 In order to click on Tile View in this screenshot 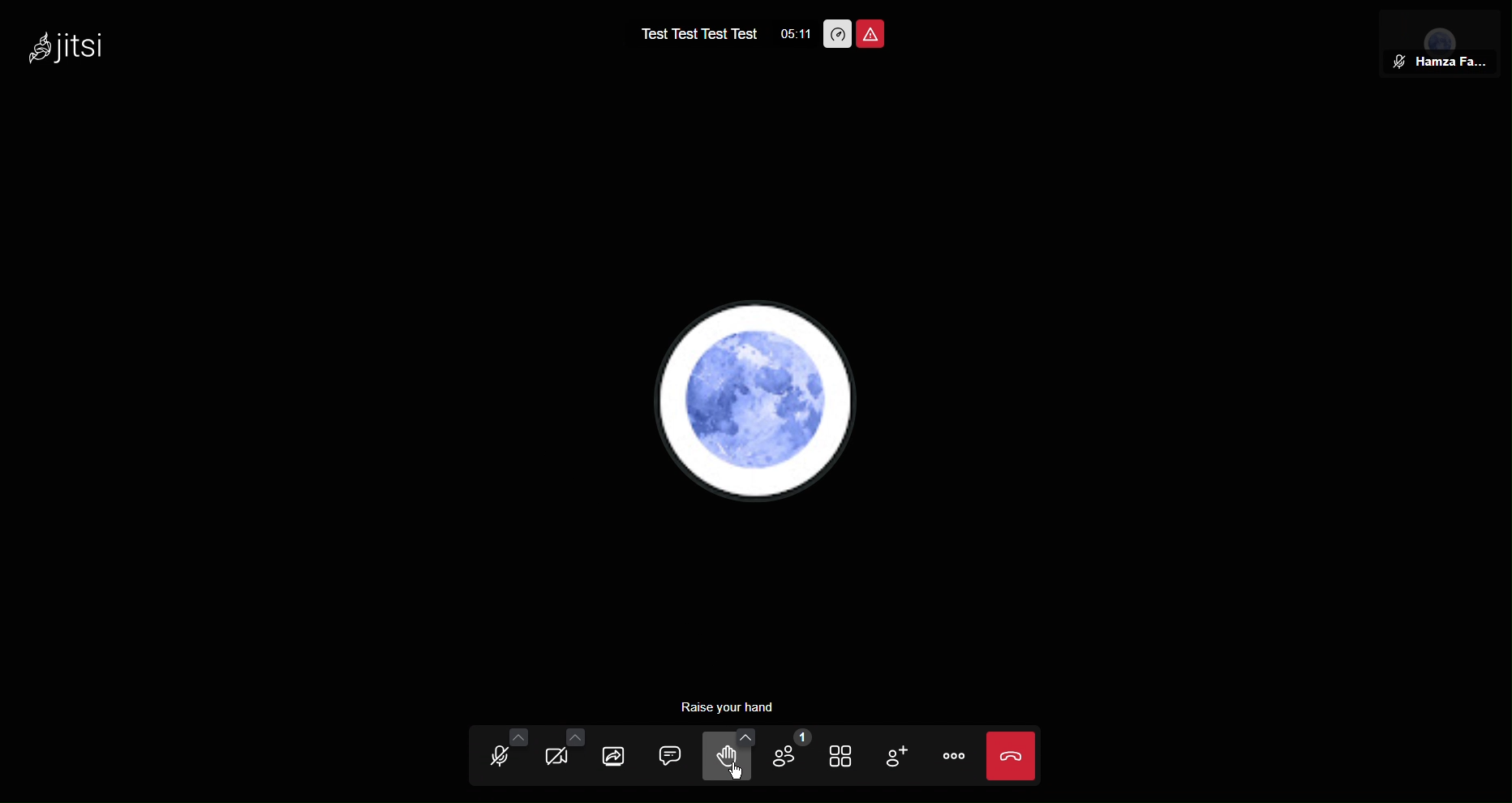, I will do `click(848, 755)`.